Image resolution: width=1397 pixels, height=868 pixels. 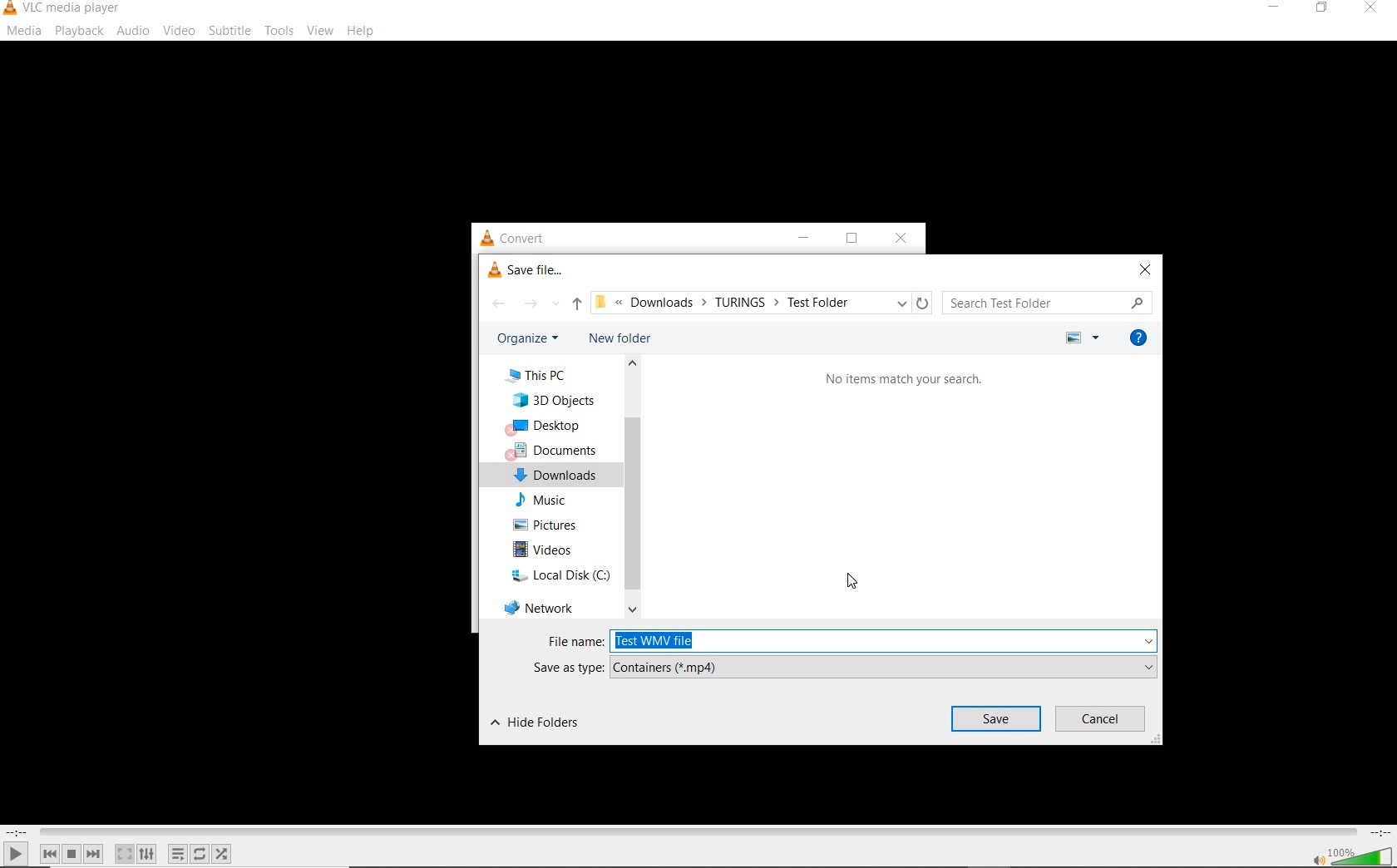 I want to click on local disk (C:), so click(x=556, y=575).